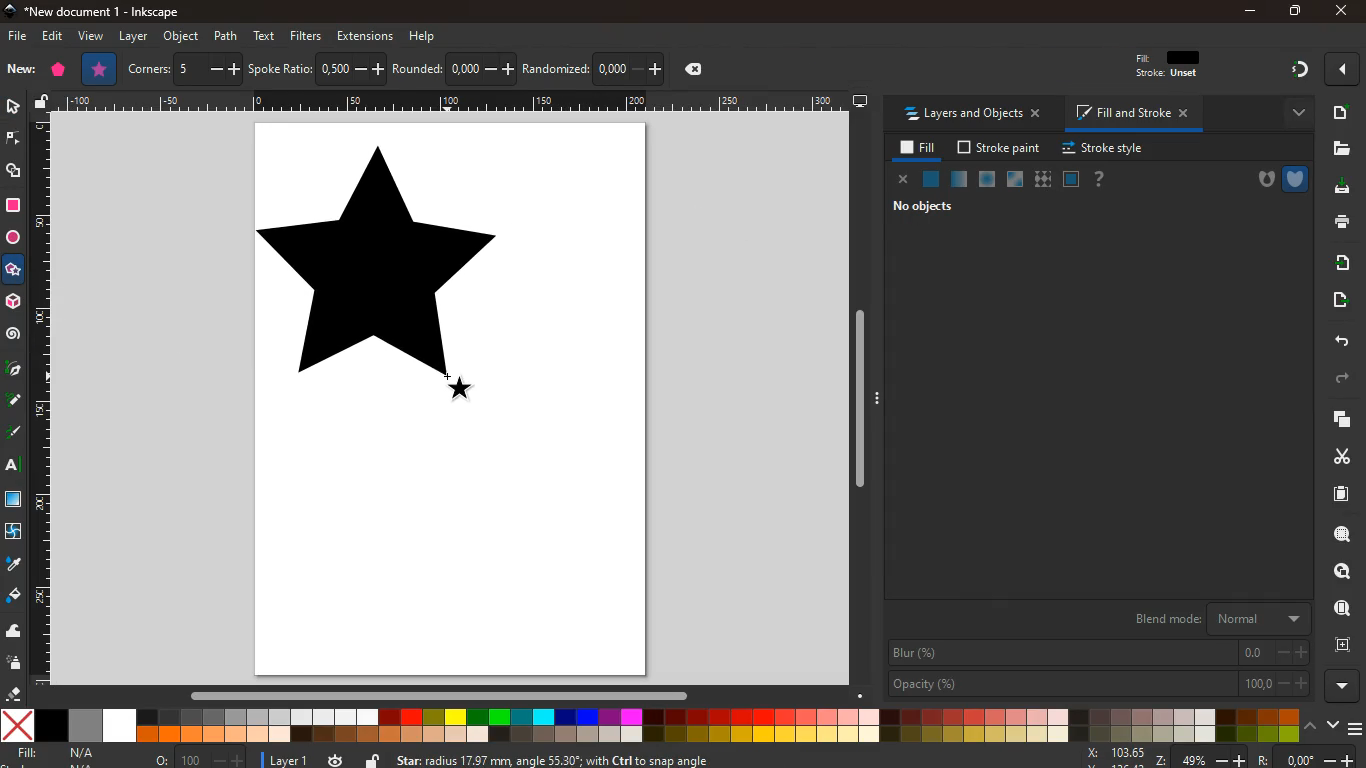 The height and width of the screenshot is (768, 1366). Describe the element at coordinates (1214, 758) in the screenshot. I see `zoom` at that location.